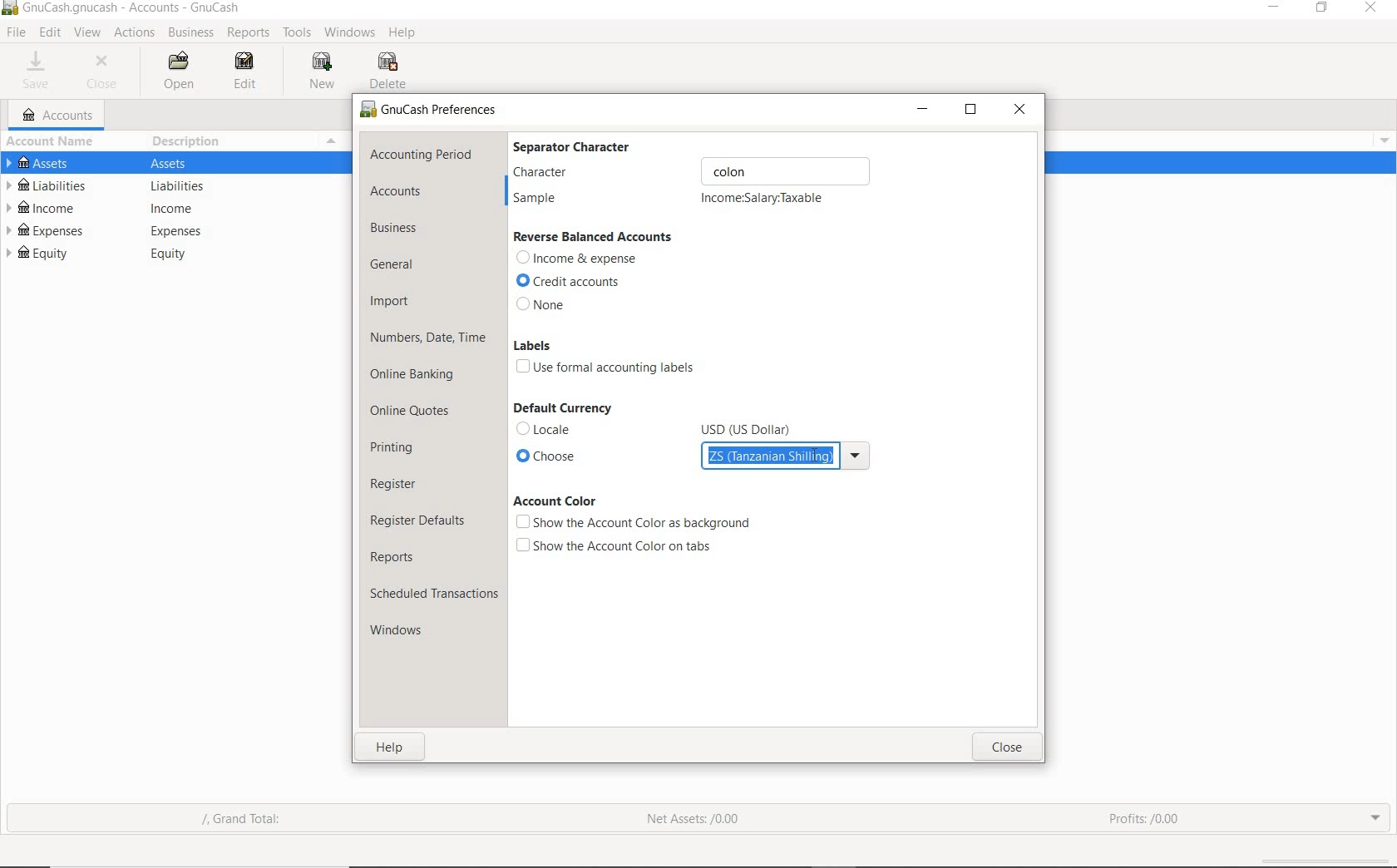  I want to click on ACCOUNTS, so click(59, 116).